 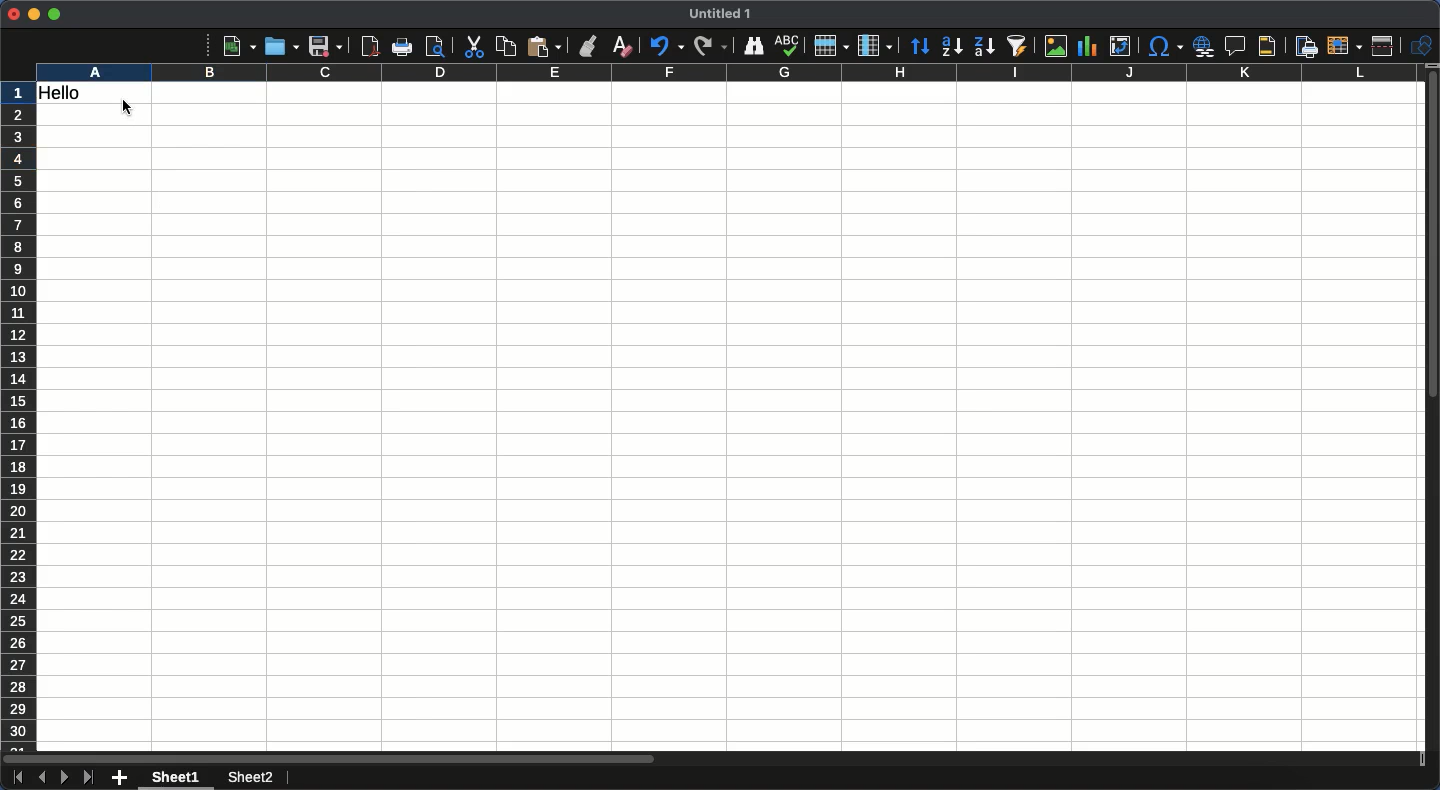 I want to click on Freeze rows and columns, so click(x=1345, y=44).